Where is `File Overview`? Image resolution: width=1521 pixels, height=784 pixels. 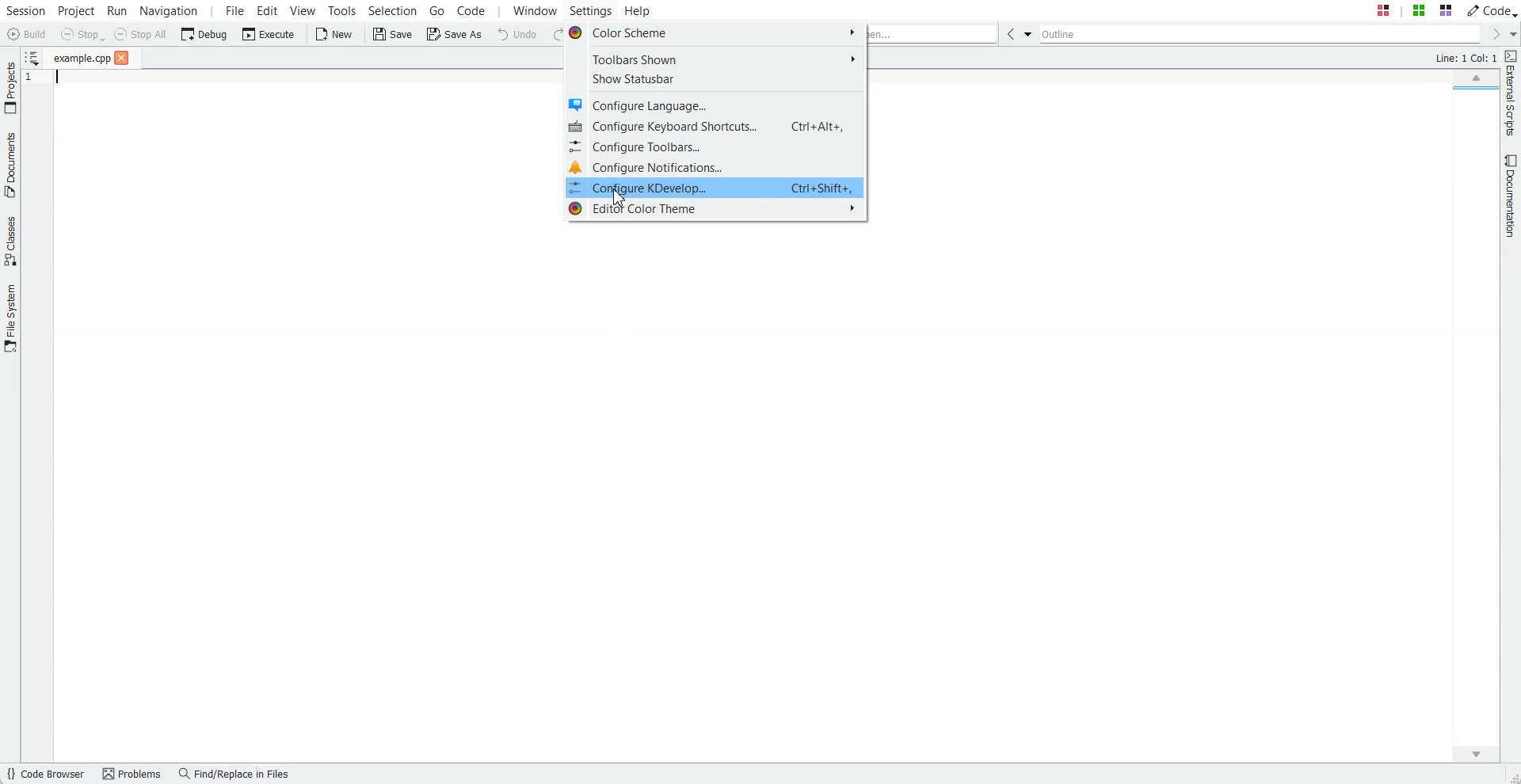
File Overview is located at coordinates (1473, 91).